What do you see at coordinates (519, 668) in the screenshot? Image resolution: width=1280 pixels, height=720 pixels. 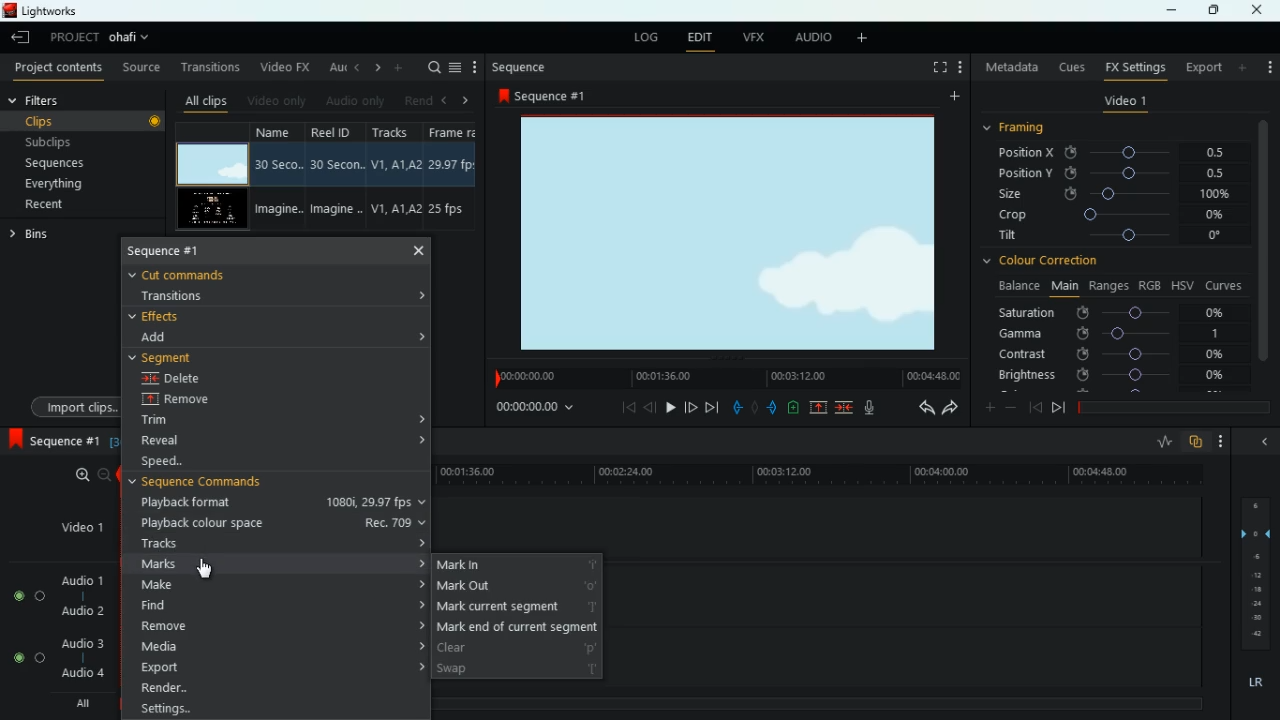 I see `swap` at bounding box center [519, 668].